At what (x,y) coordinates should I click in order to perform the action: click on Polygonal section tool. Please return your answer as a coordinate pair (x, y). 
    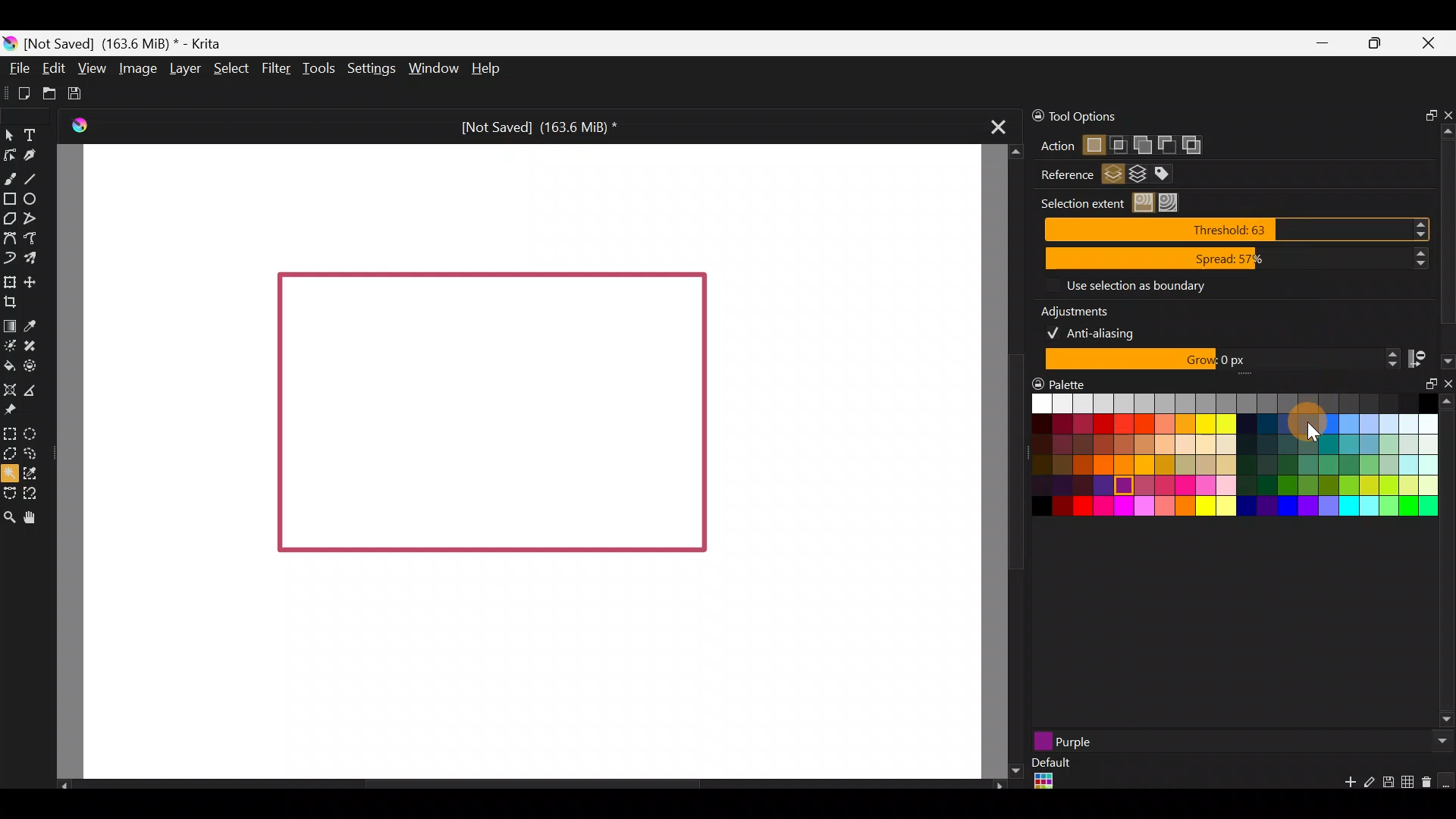
    Looking at the image, I should click on (10, 454).